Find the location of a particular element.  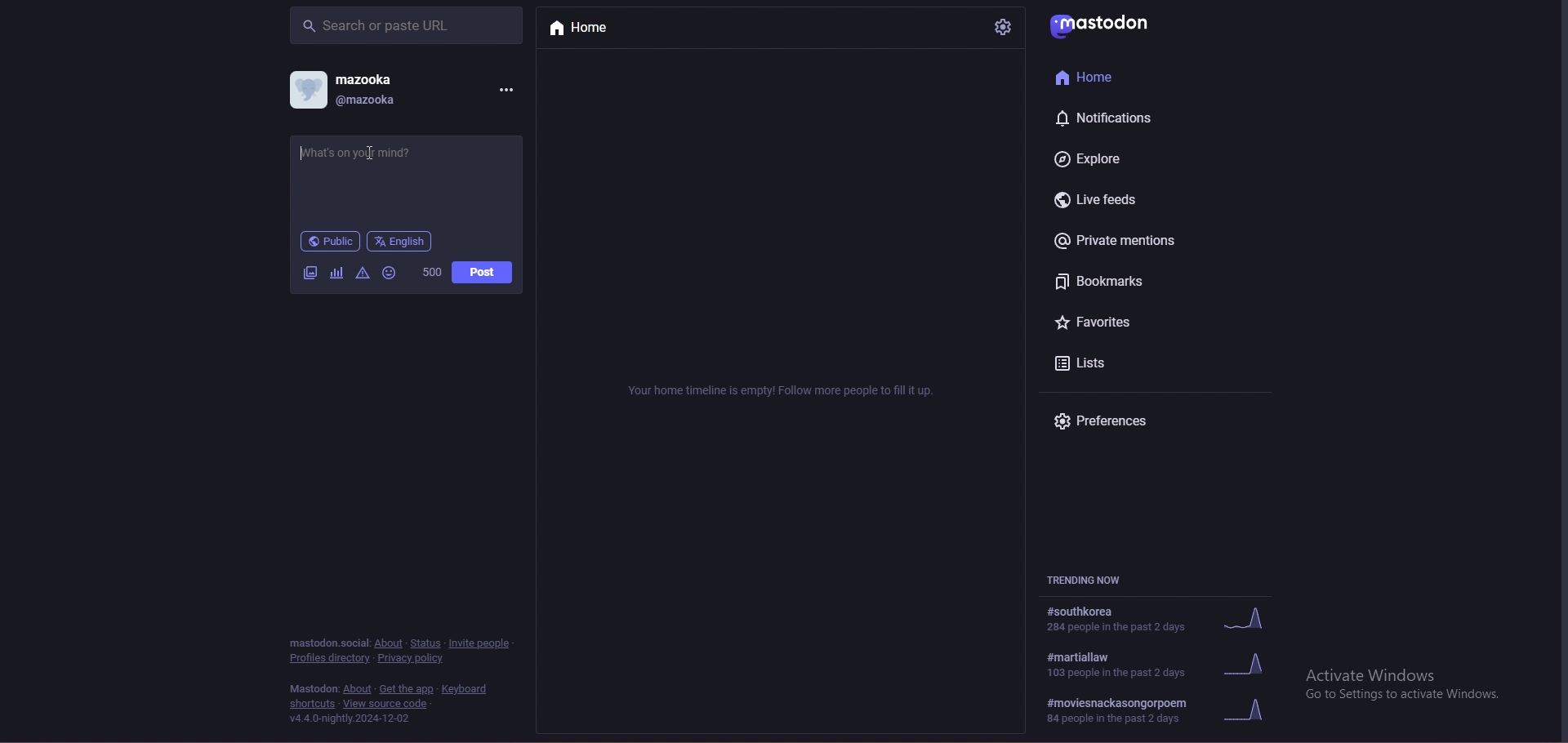

status is located at coordinates (425, 643).